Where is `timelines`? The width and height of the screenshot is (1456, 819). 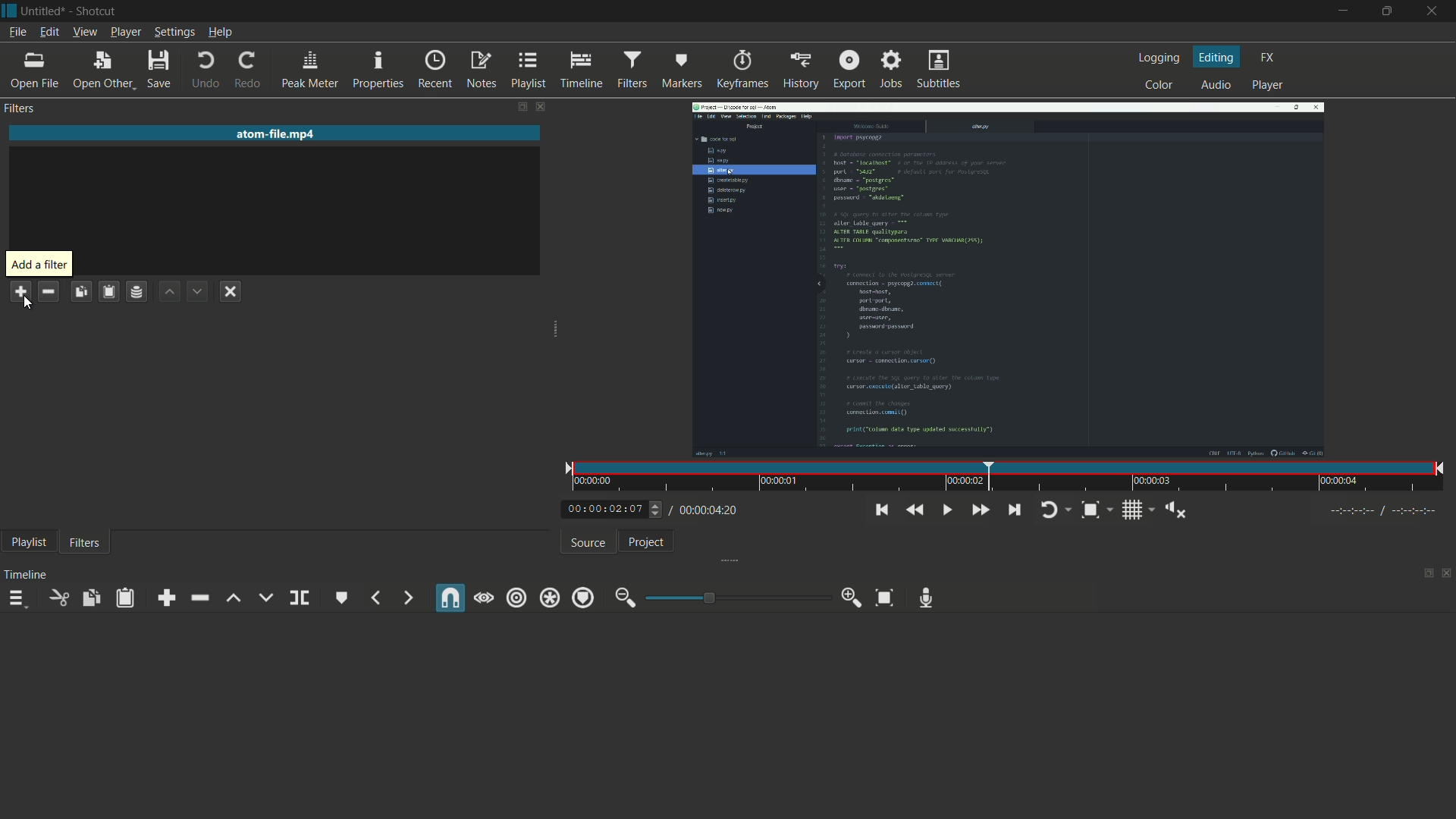 timelines is located at coordinates (581, 71).